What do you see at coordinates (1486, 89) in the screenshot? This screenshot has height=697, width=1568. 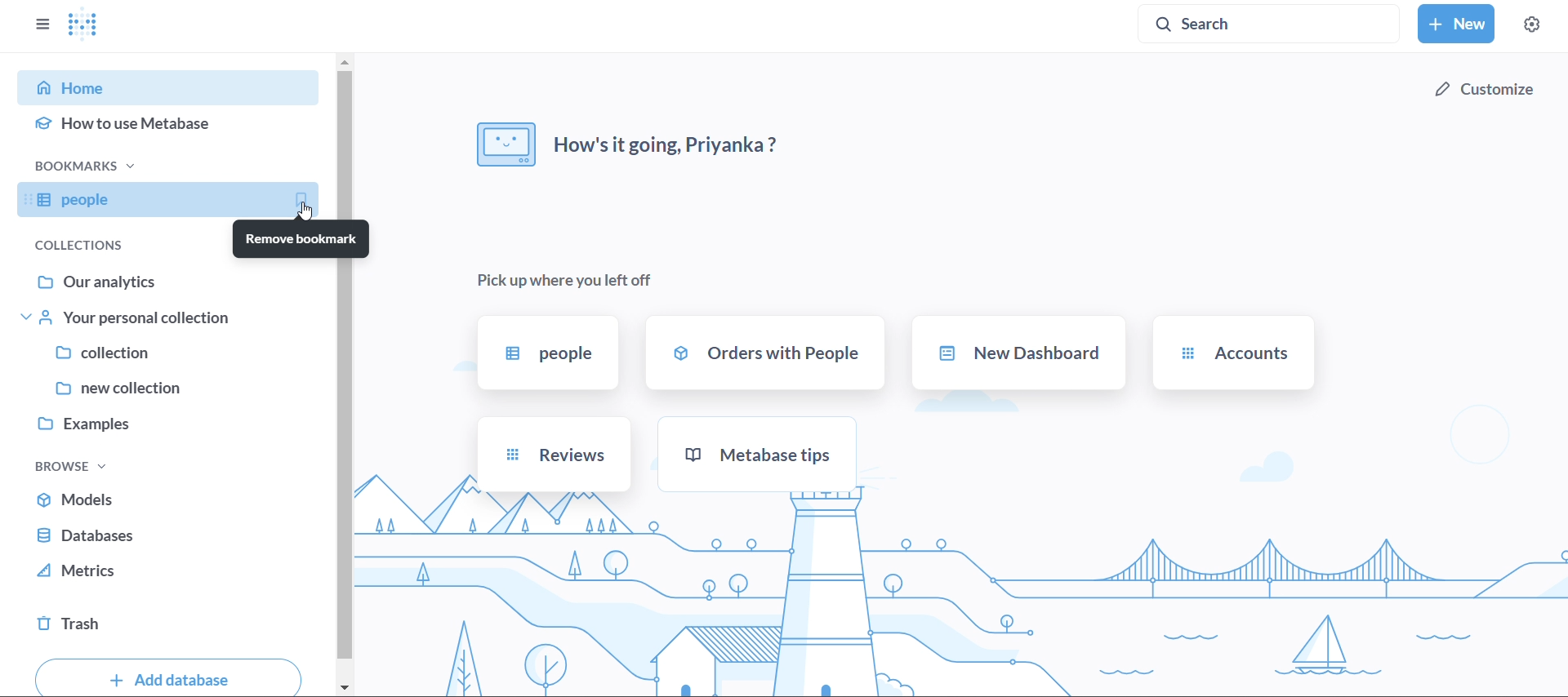 I see `customize` at bounding box center [1486, 89].